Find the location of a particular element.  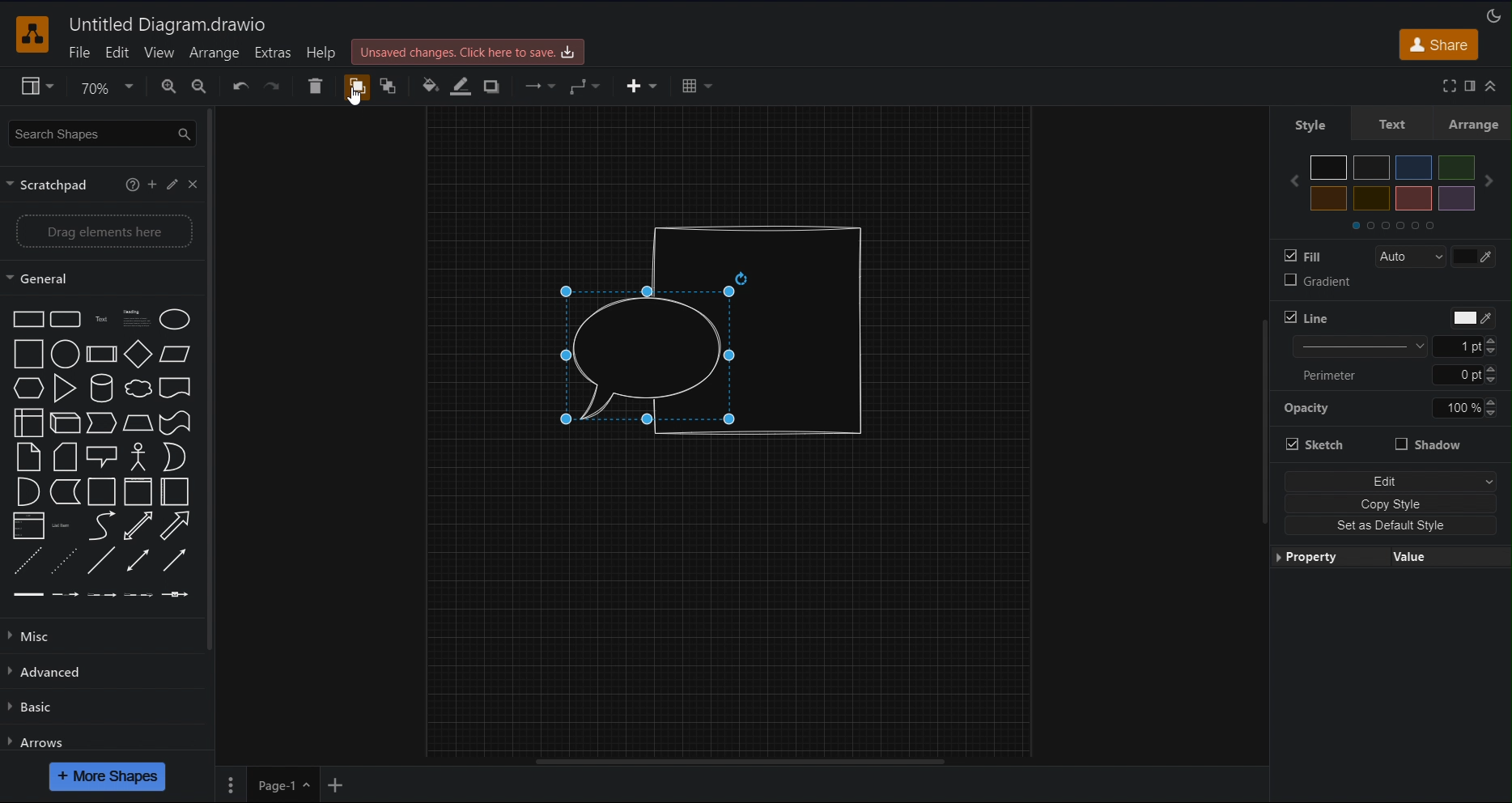

Increase/Decrease line thickness is located at coordinates (1491, 375).